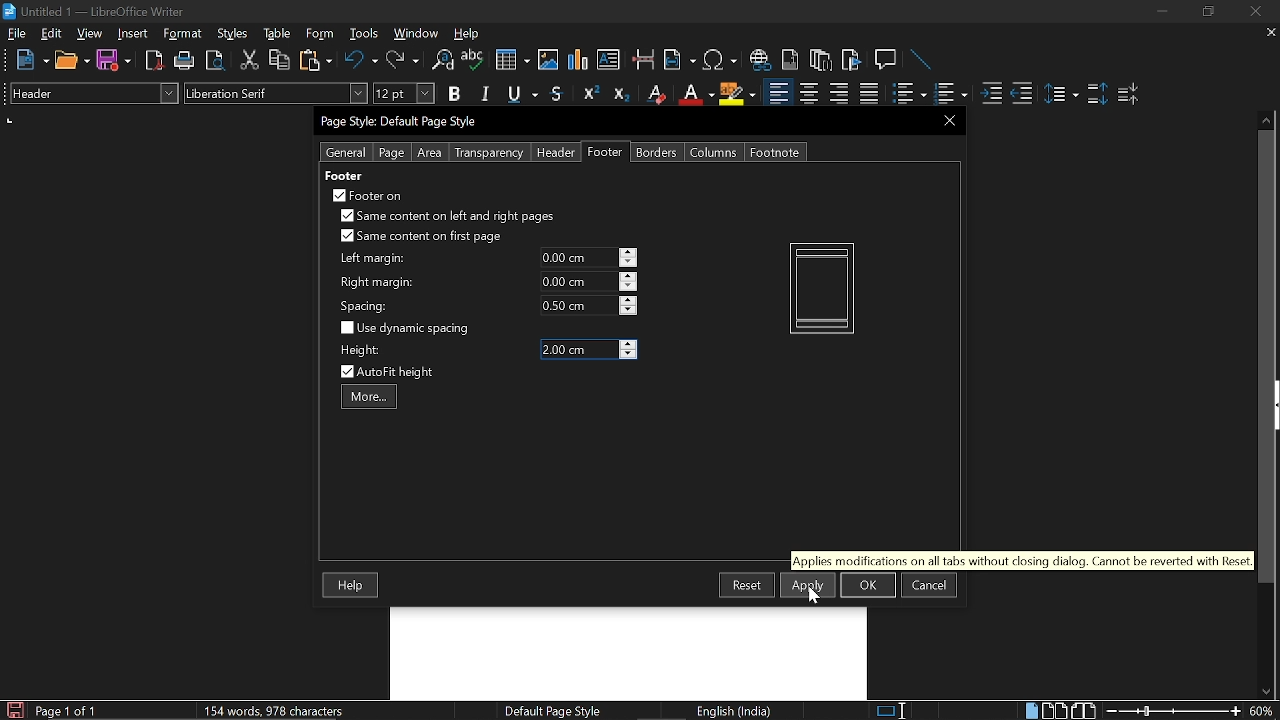 This screenshot has width=1280, height=720. I want to click on current right margin, so click(577, 281).